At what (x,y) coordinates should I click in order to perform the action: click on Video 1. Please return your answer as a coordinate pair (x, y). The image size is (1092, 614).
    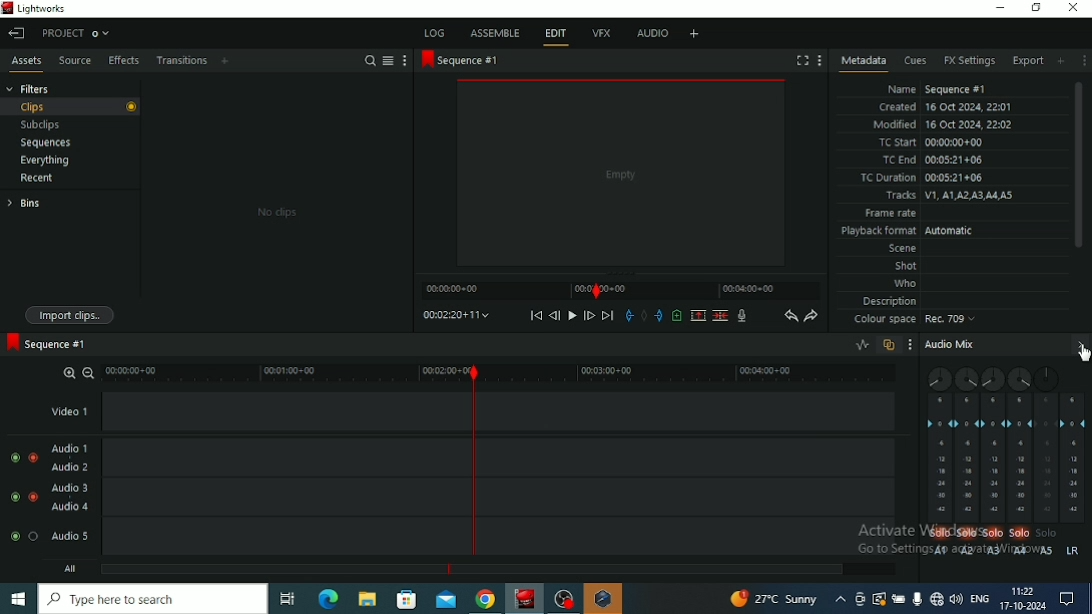
    Looking at the image, I should click on (478, 411).